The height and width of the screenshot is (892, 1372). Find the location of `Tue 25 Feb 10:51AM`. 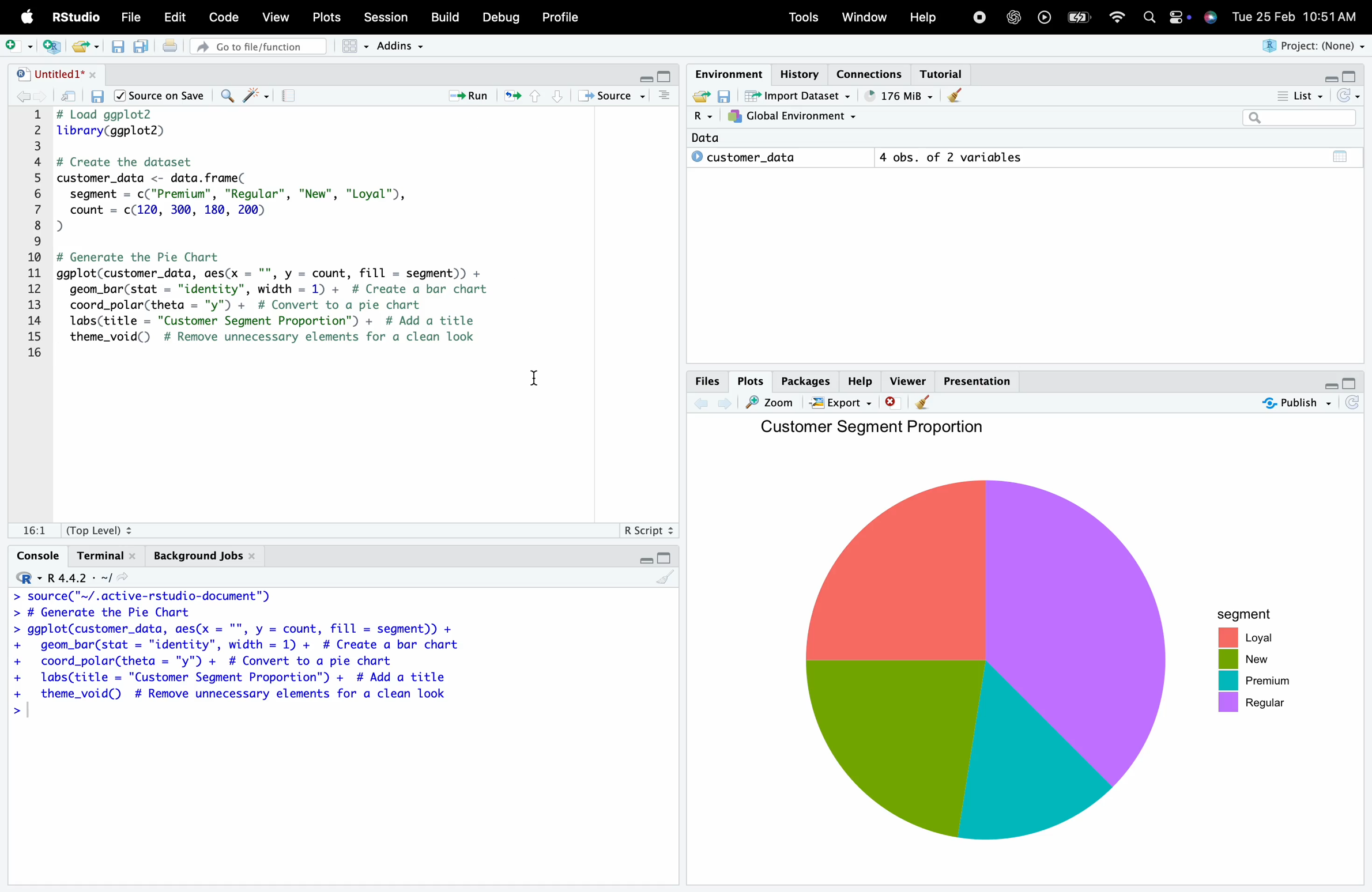

Tue 25 Feb 10:51AM is located at coordinates (1299, 16).